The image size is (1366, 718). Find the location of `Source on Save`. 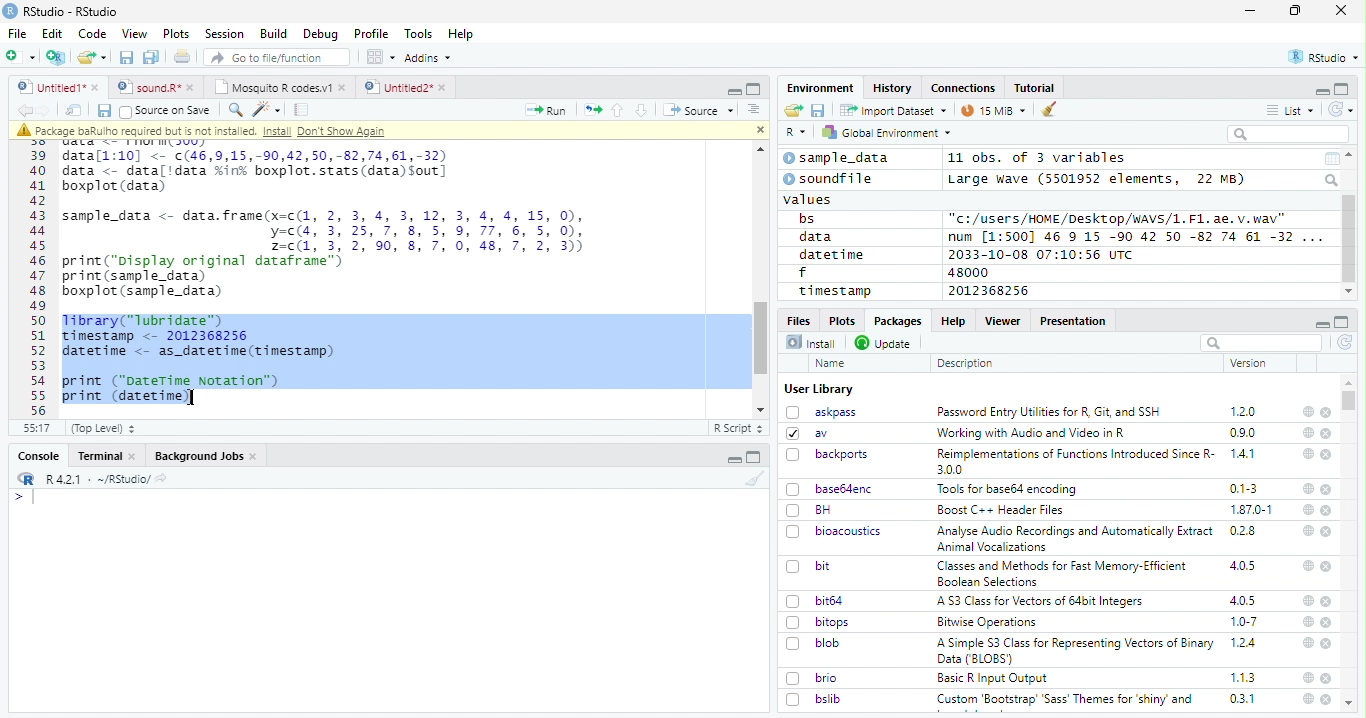

Source on Save is located at coordinates (164, 110).